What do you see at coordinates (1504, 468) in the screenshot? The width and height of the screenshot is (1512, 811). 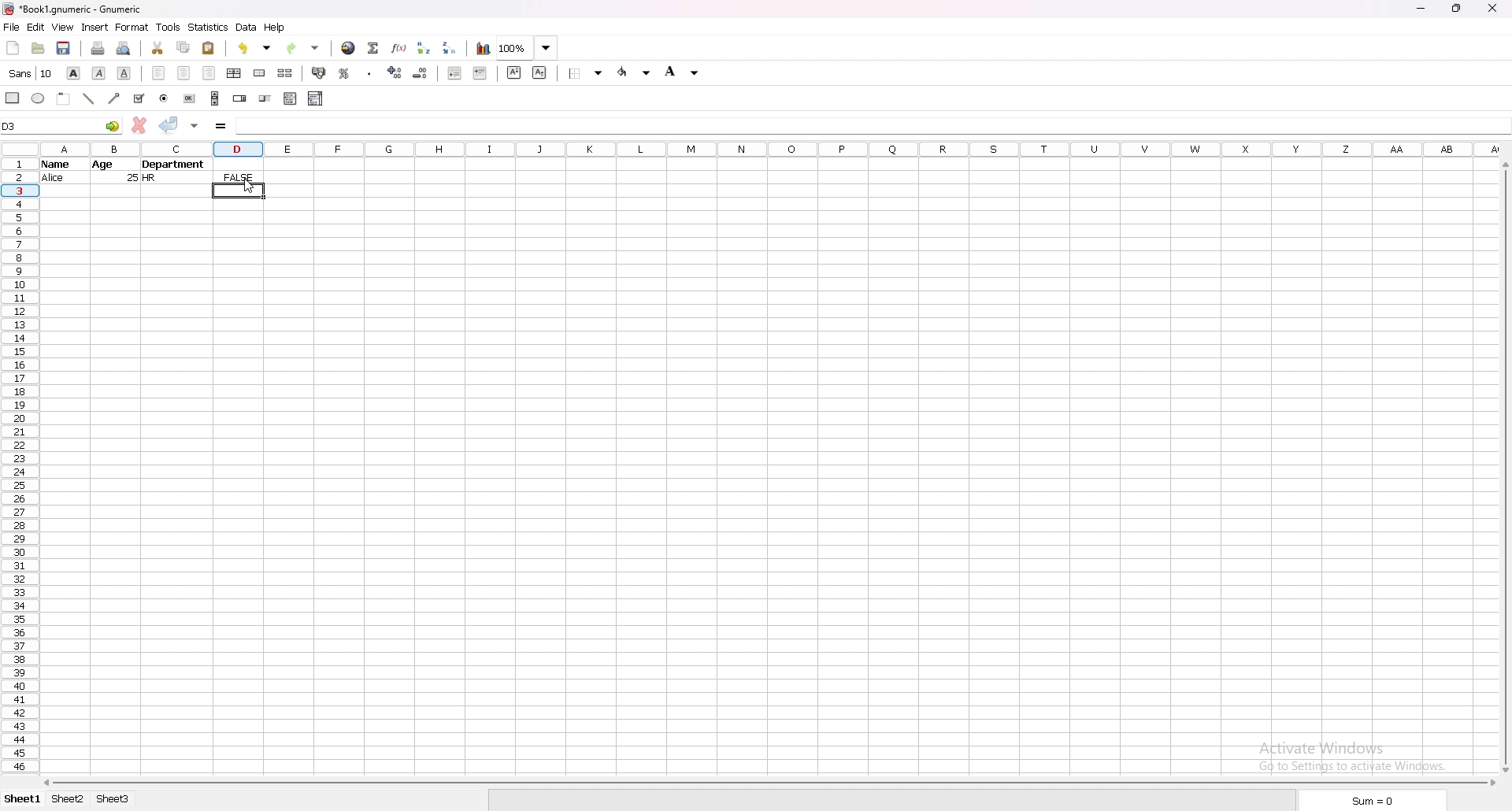 I see `scroll bar` at bounding box center [1504, 468].